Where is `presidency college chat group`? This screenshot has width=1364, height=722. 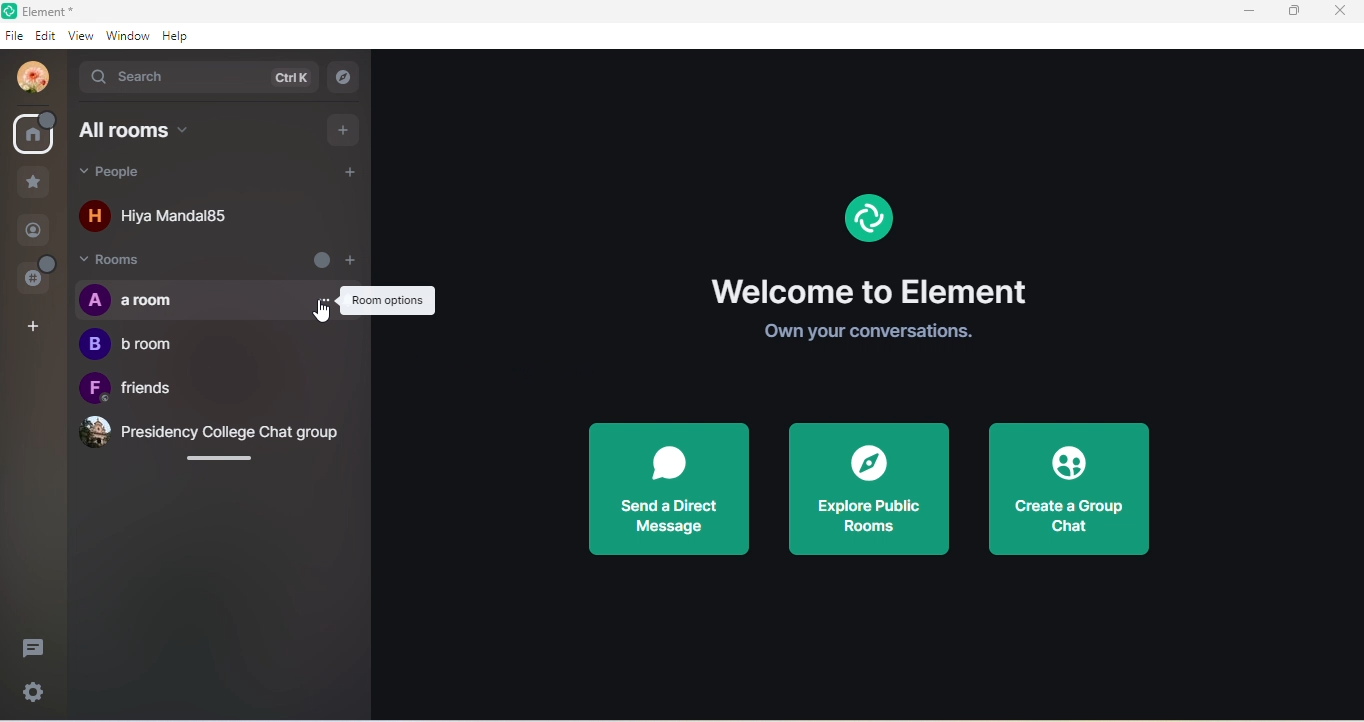
presidency college chat group is located at coordinates (209, 435).